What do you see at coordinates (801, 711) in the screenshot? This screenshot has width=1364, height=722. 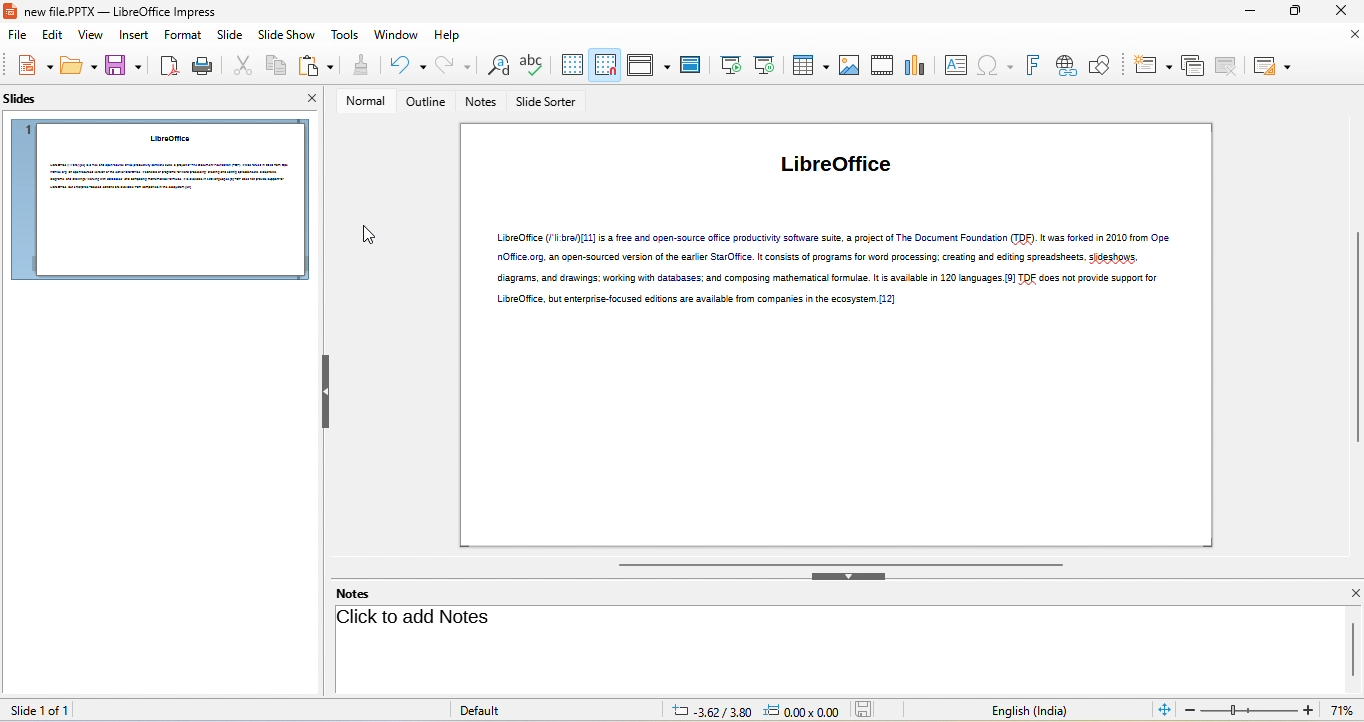 I see `0.00x0.00` at bounding box center [801, 711].